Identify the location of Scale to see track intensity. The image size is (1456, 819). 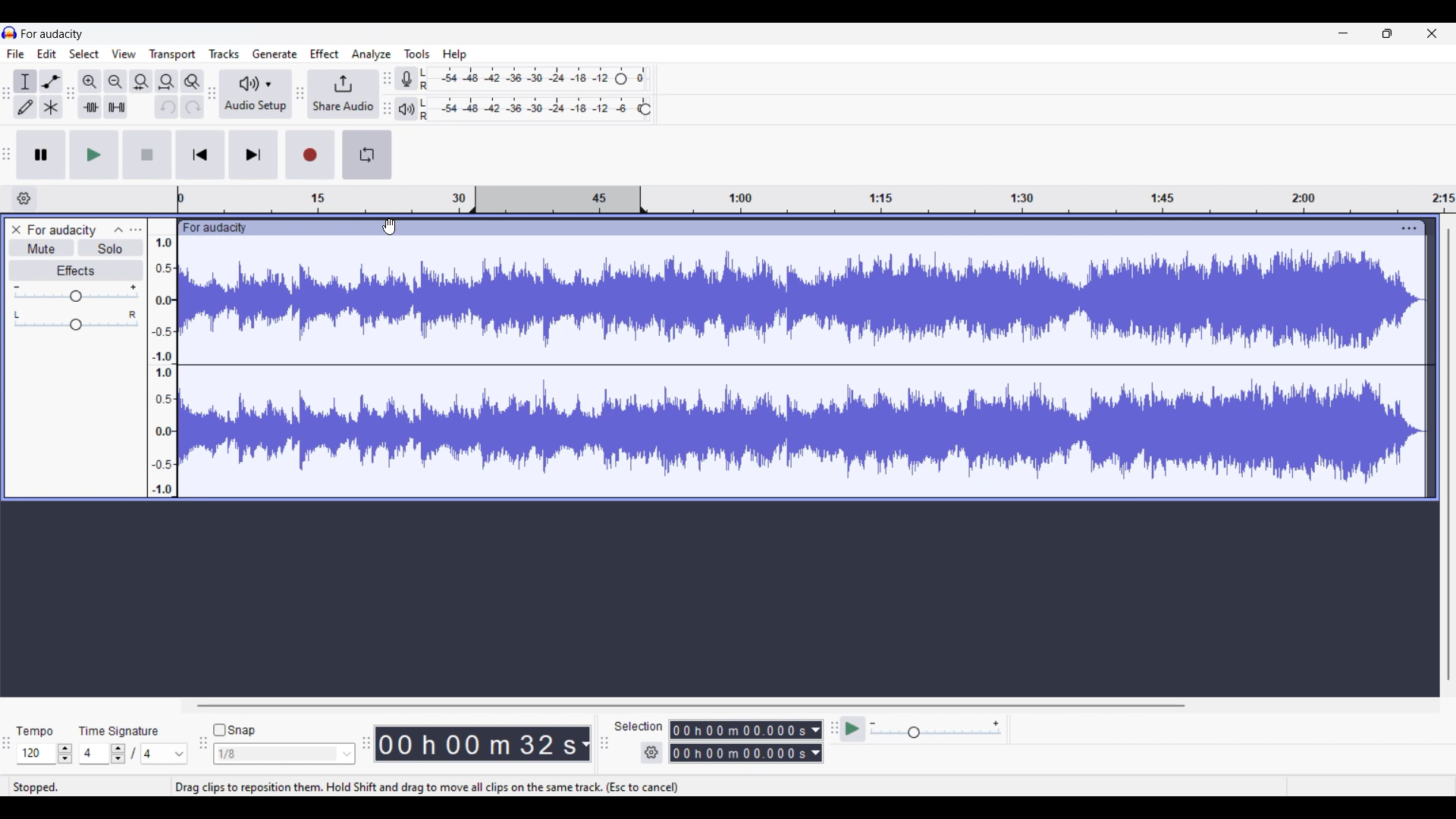
(162, 366).